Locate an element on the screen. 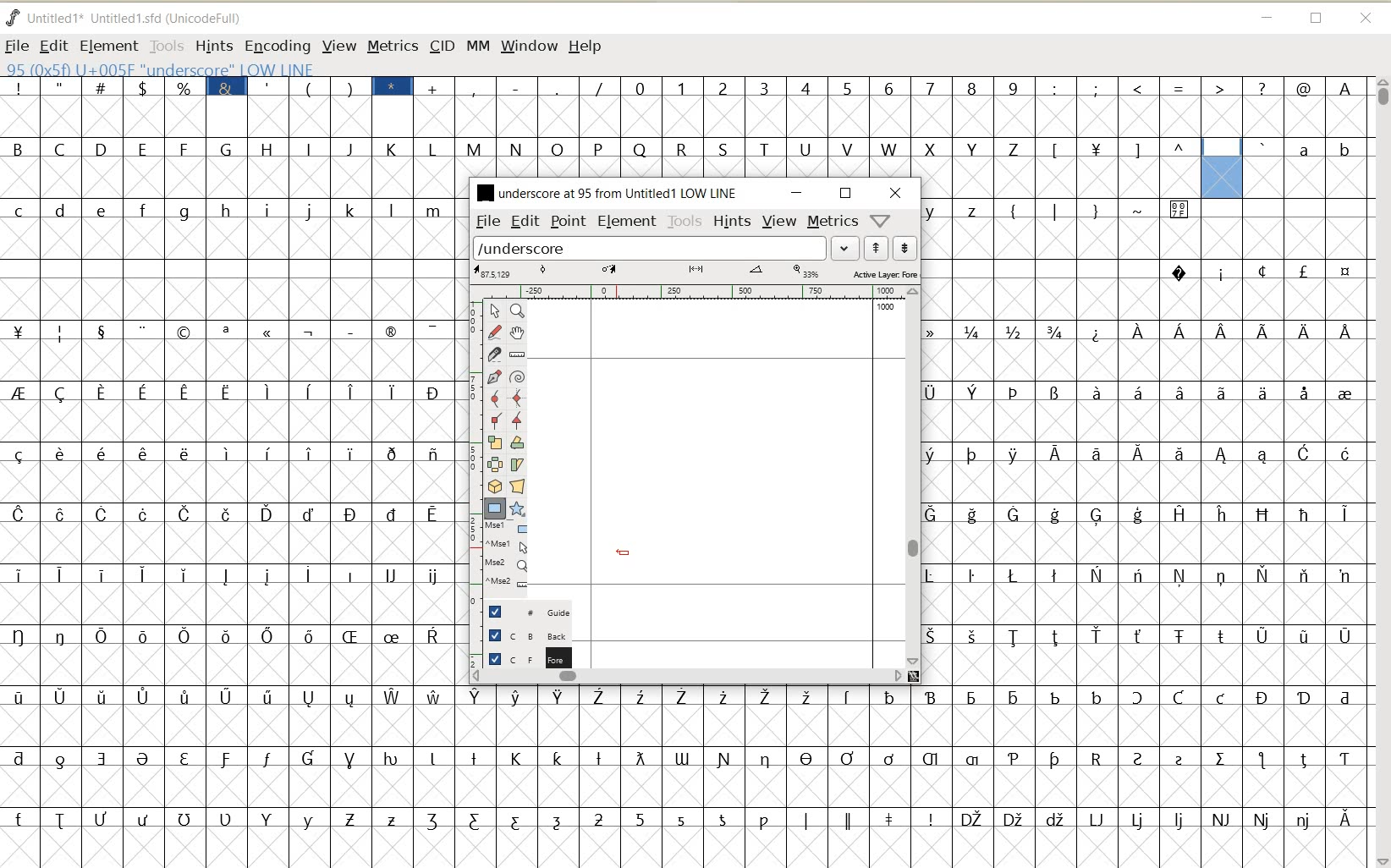 The image size is (1391, 868). RESTORE is located at coordinates (846, 194).